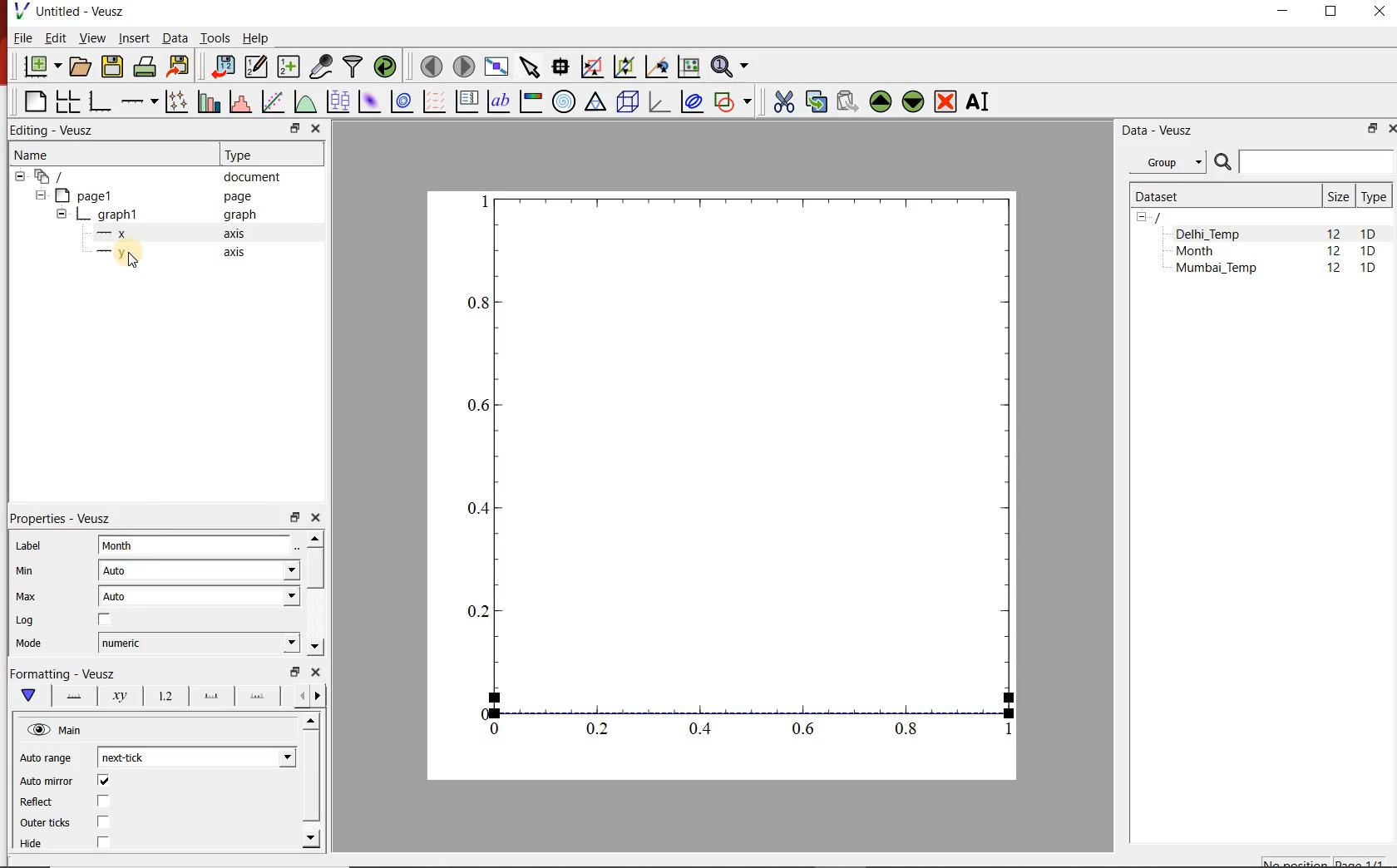 Image resolution: width=1397 pixels, height=868 pixels. Describe the element at coordinates (256, 37) in the screenshot. I see `Help` at that location.